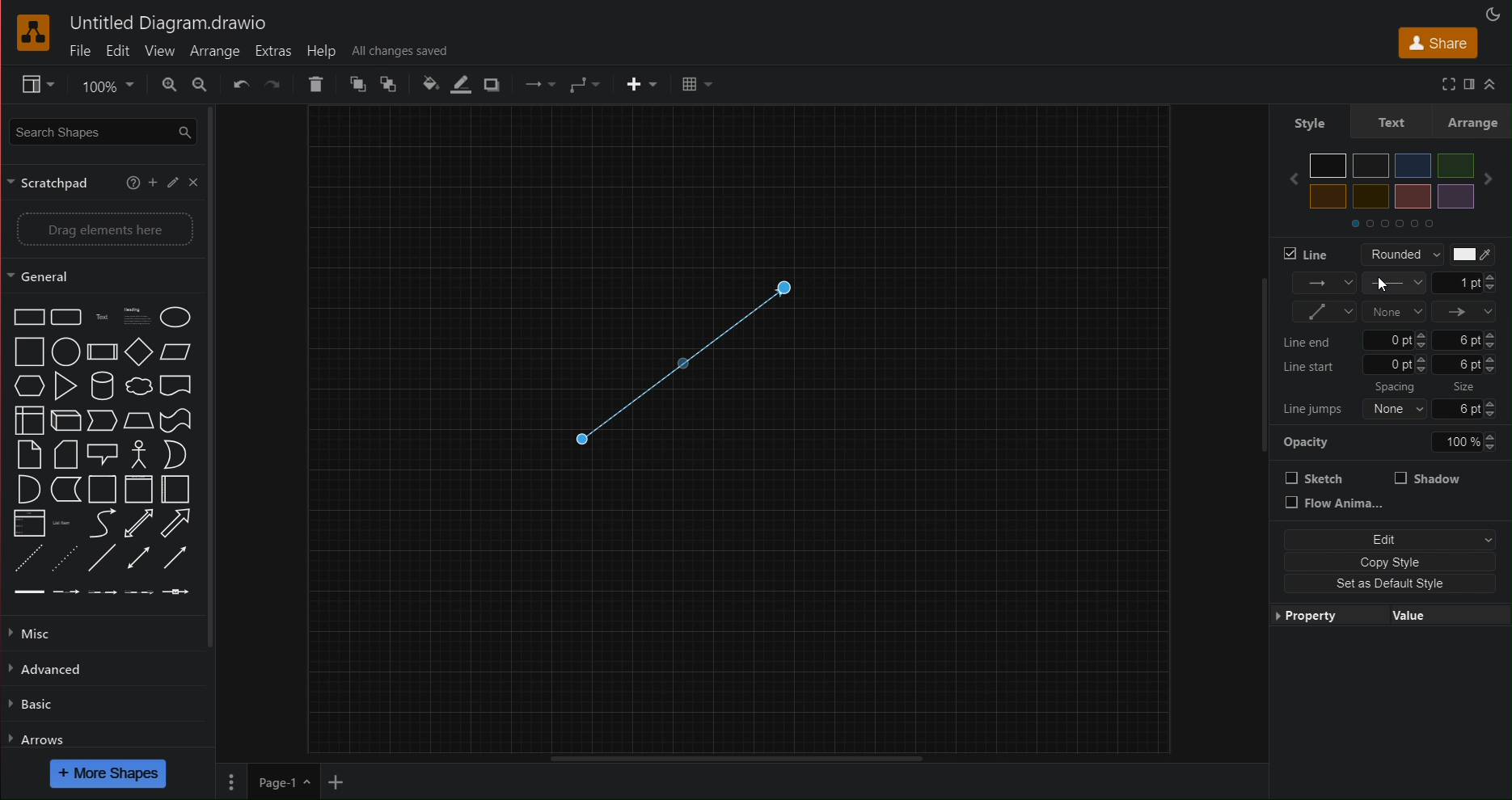 The image size is (1512, 800). I want to click on , so click(1466, 387).